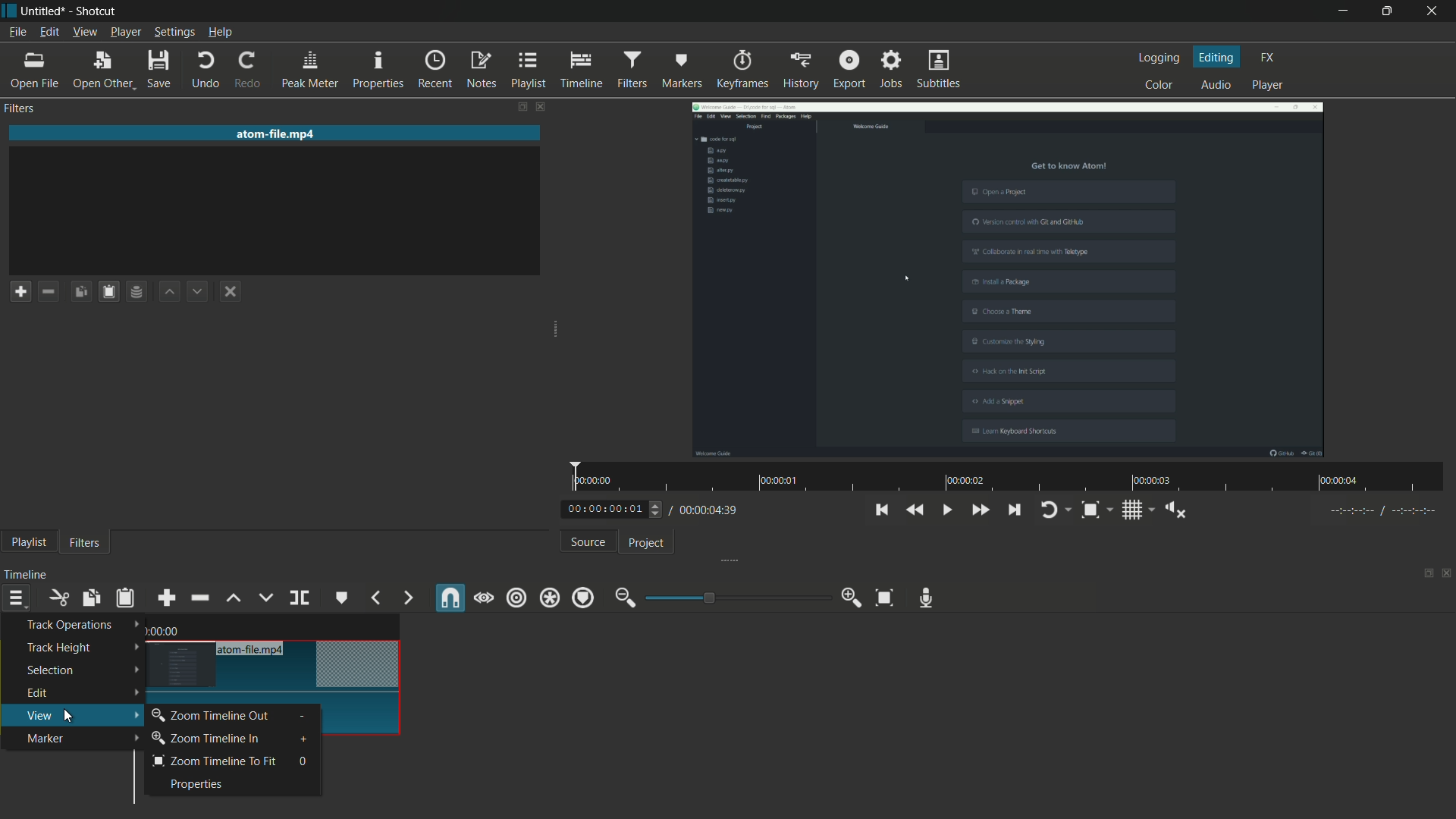 The height and width of the screenshot is (819, 1456). Describe the element at coordinates (160, 71) in the screenshot. I see `save` at that location.